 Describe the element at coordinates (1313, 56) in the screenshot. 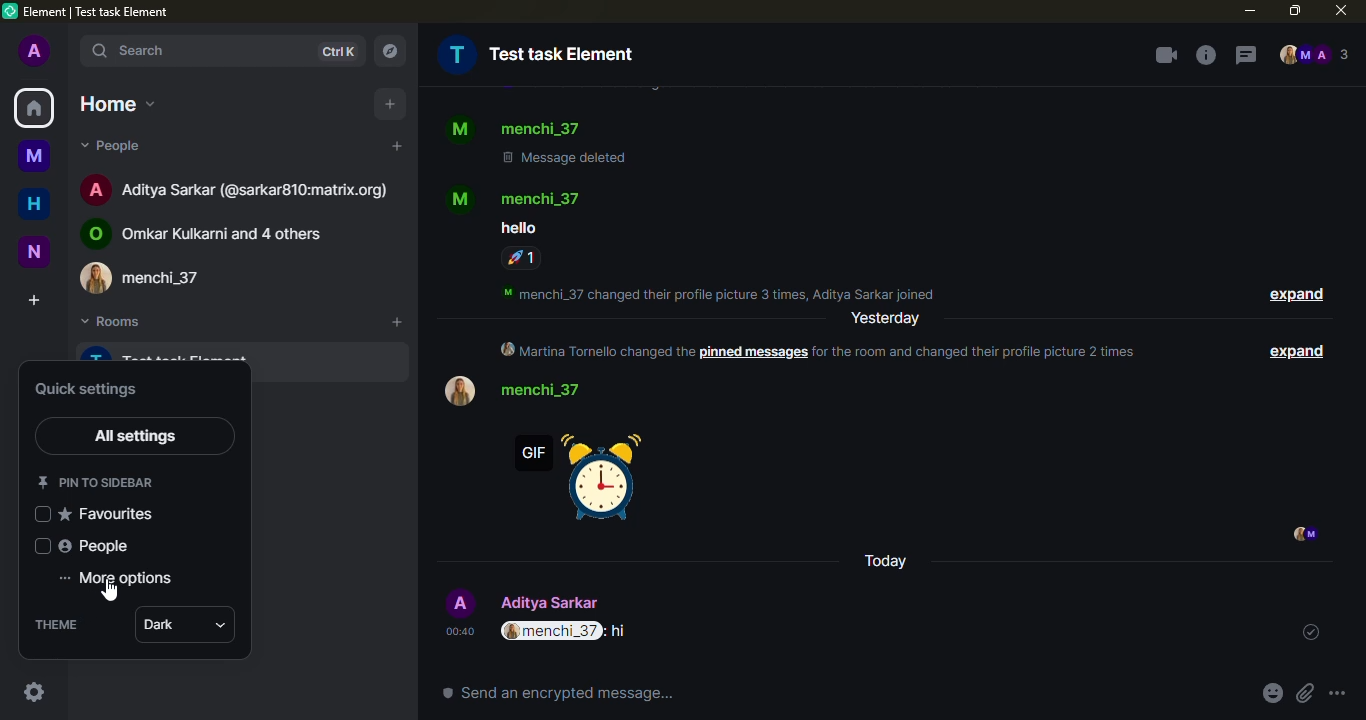

I see `people` at that location.